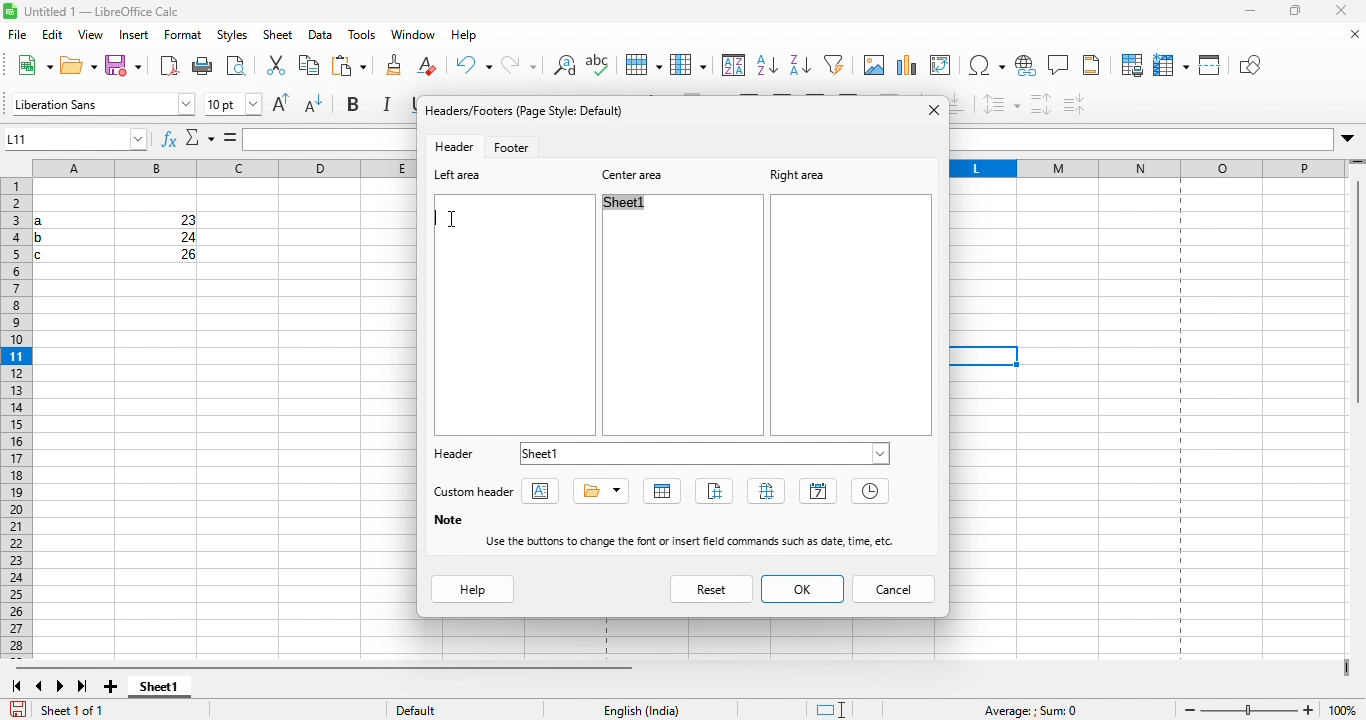 This screenshot has width=1366, height=720. I want to click on paste, so click(307, 68).